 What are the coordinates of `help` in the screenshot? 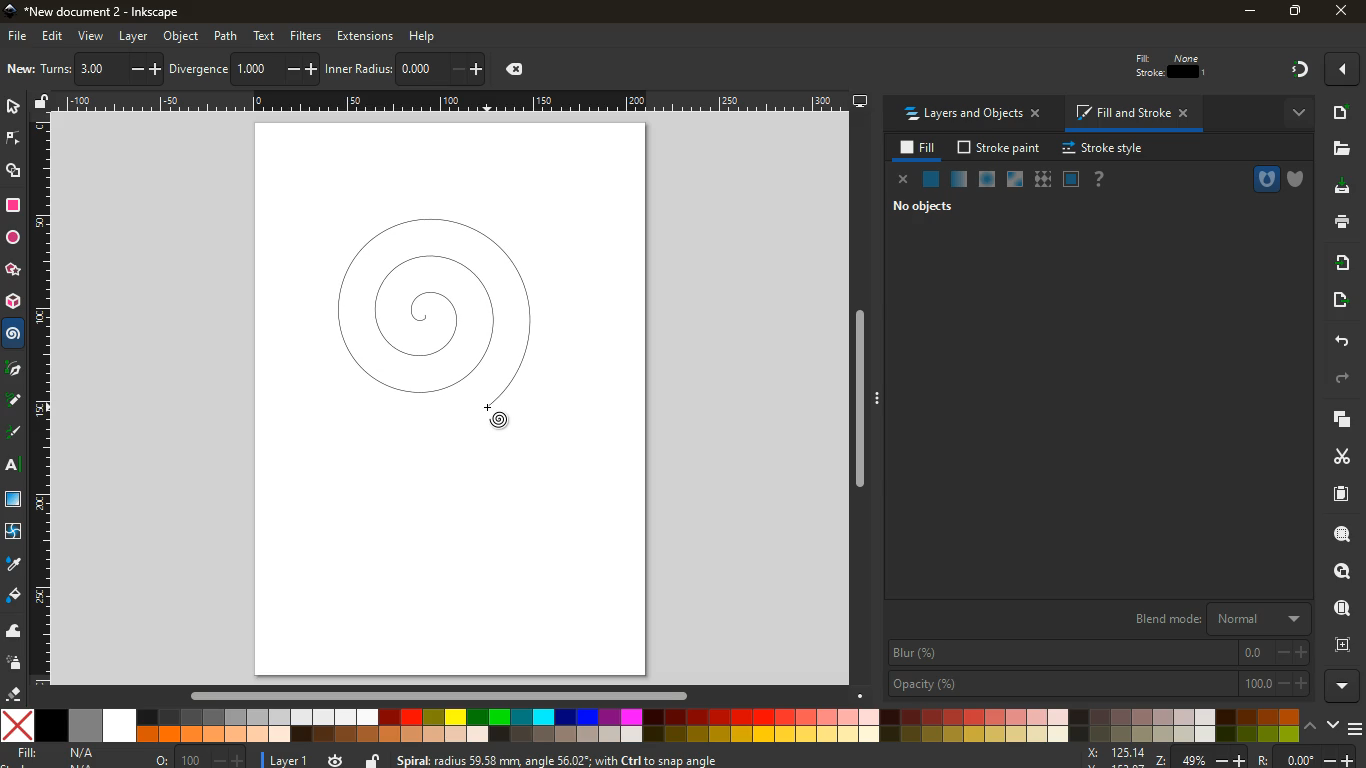 It's located at (1101, 180).